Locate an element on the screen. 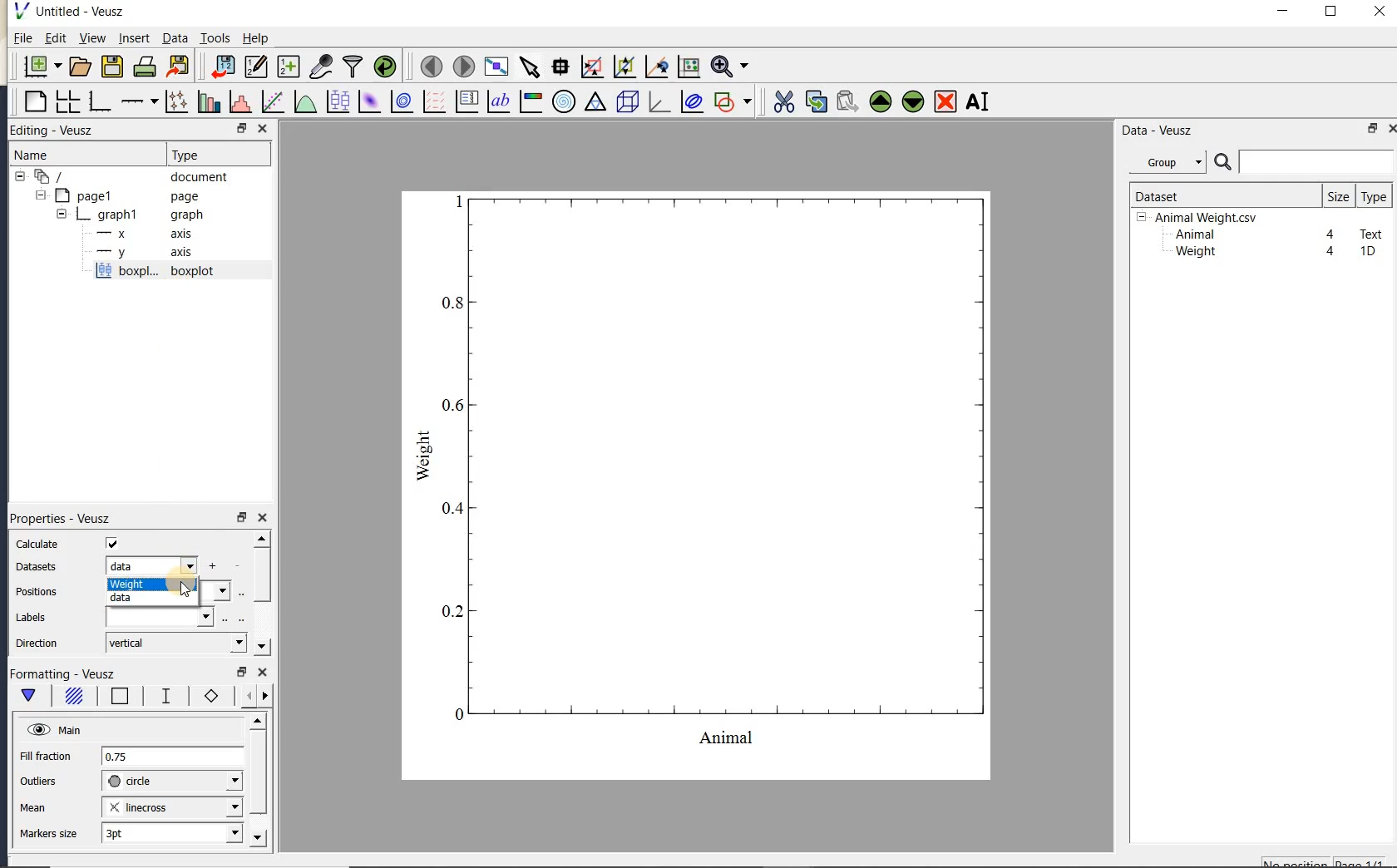  select items from the graph or scroll is located at coordinates (531, 67).